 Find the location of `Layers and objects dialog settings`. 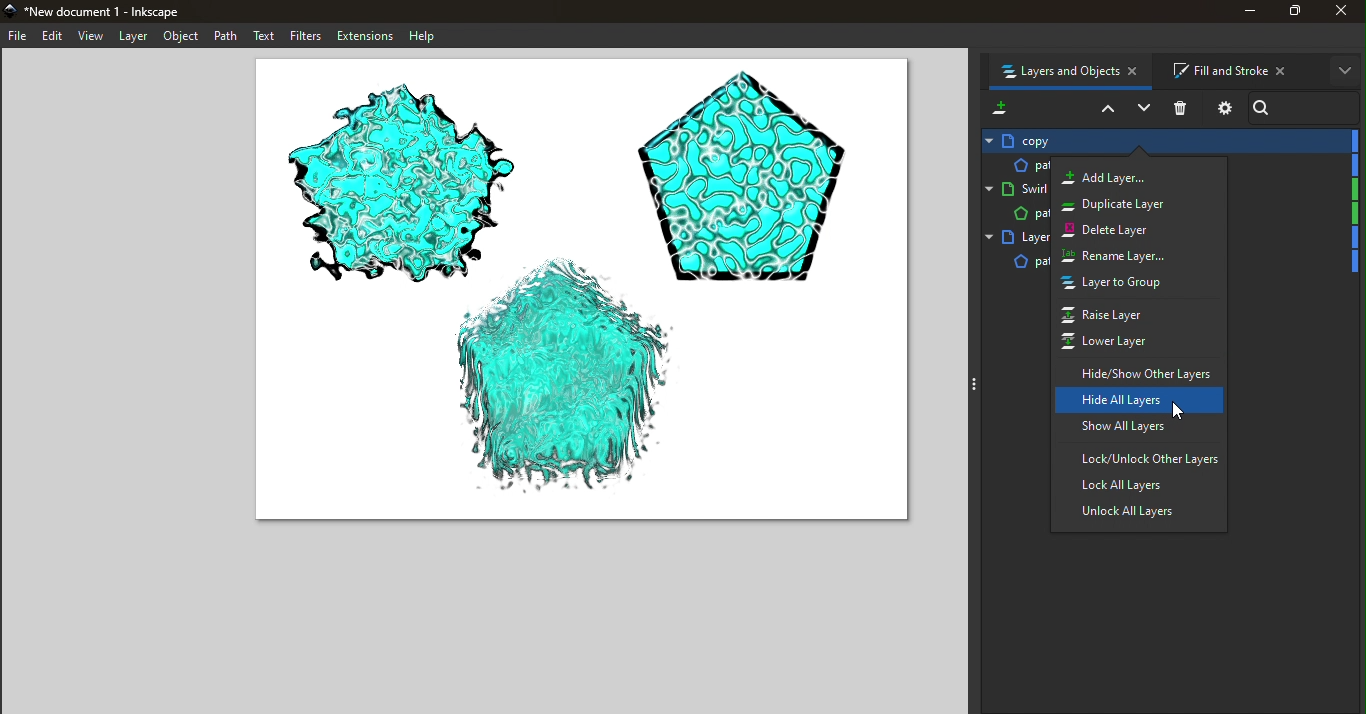

Layers and objects dialog settings is located at coordinates (1222, 109).